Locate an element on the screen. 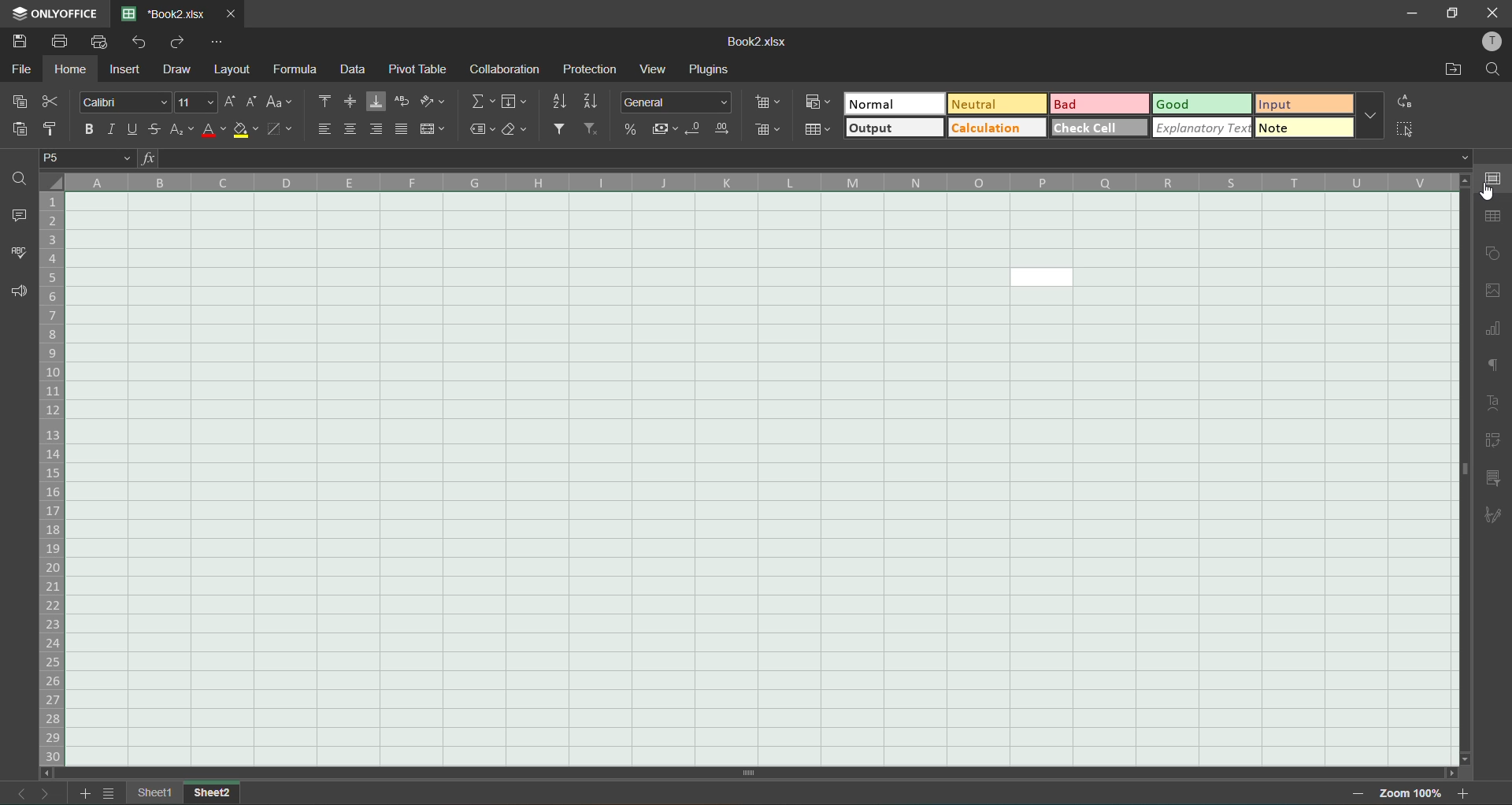 The height and width of the screenshot is (805, 1512). formula is located at coordinates (298, 72).